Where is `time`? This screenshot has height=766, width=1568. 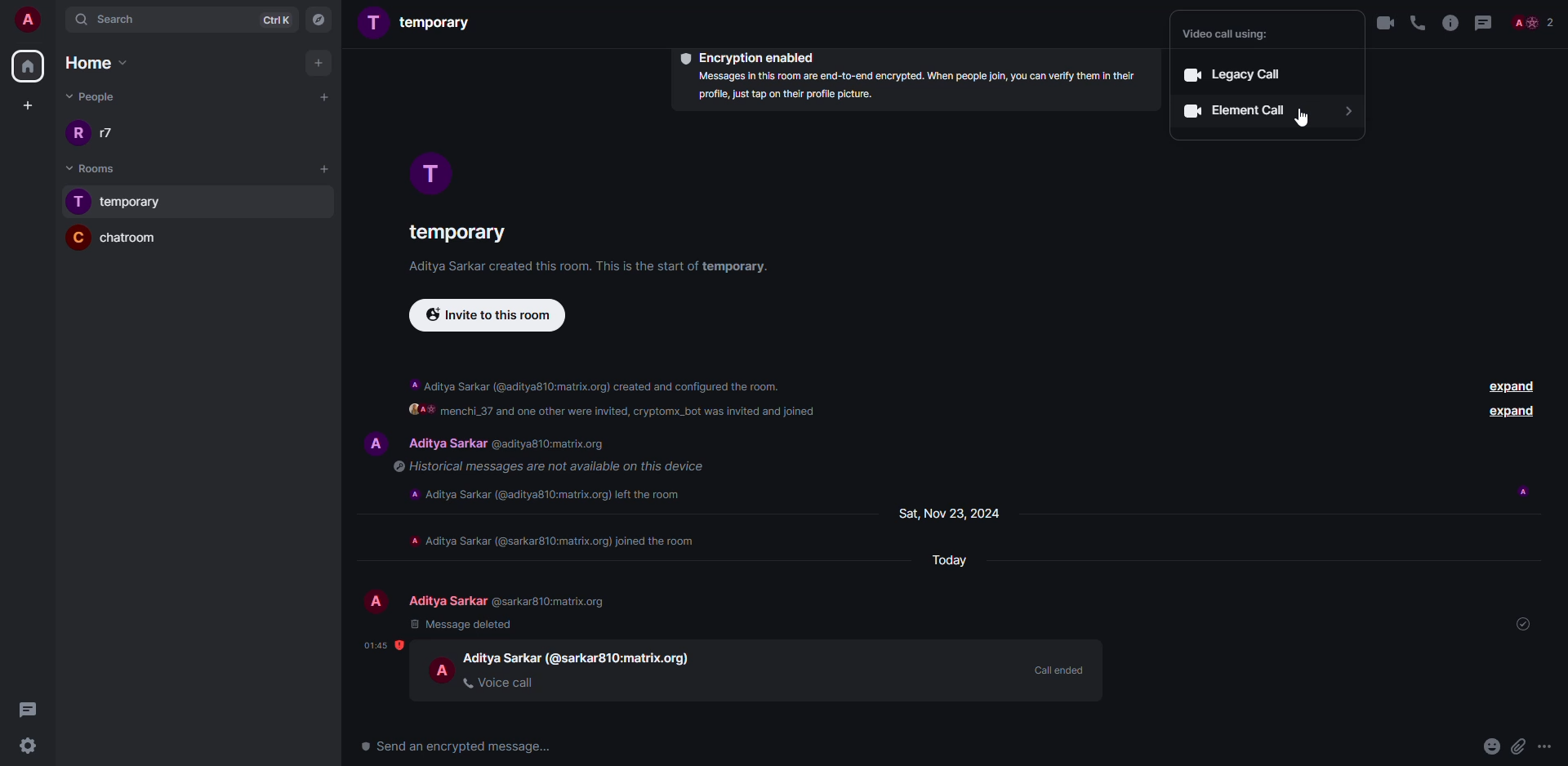 time is located at coordinates (385, 645).